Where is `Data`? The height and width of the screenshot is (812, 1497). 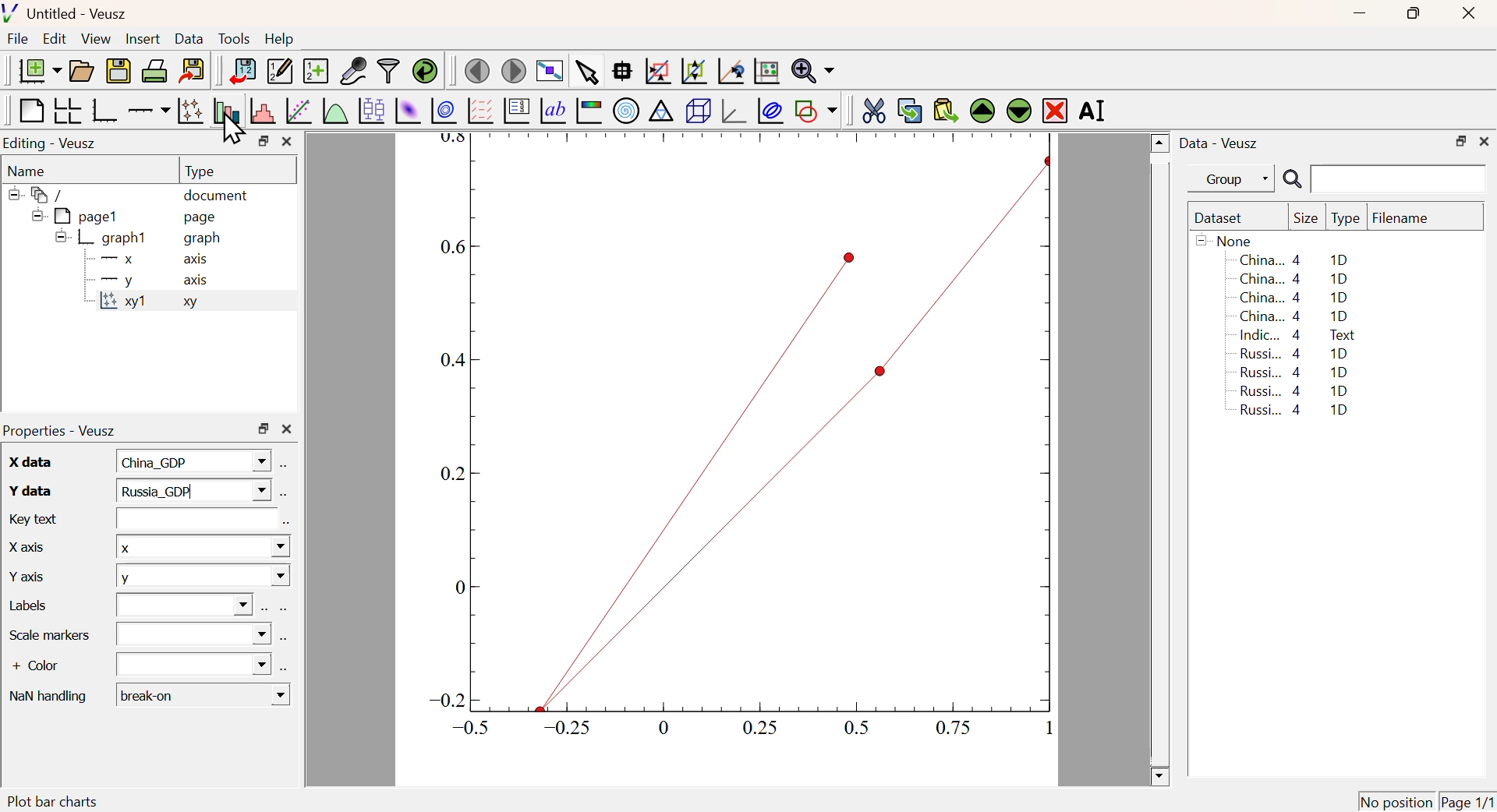
Data is located at coordinates (189, 38).